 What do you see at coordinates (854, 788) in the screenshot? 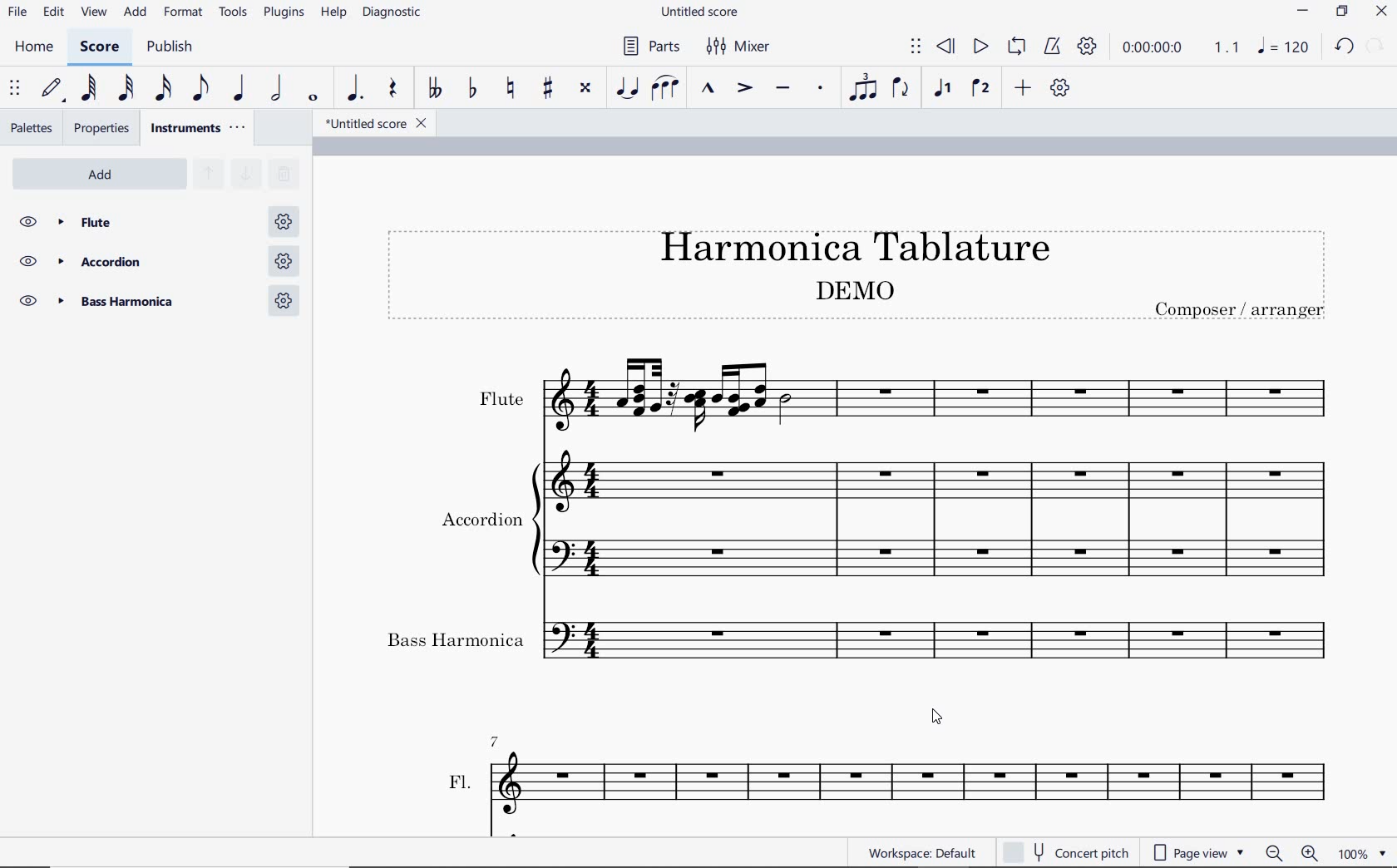
I see `ACC.` at bounding box center [854, 788].